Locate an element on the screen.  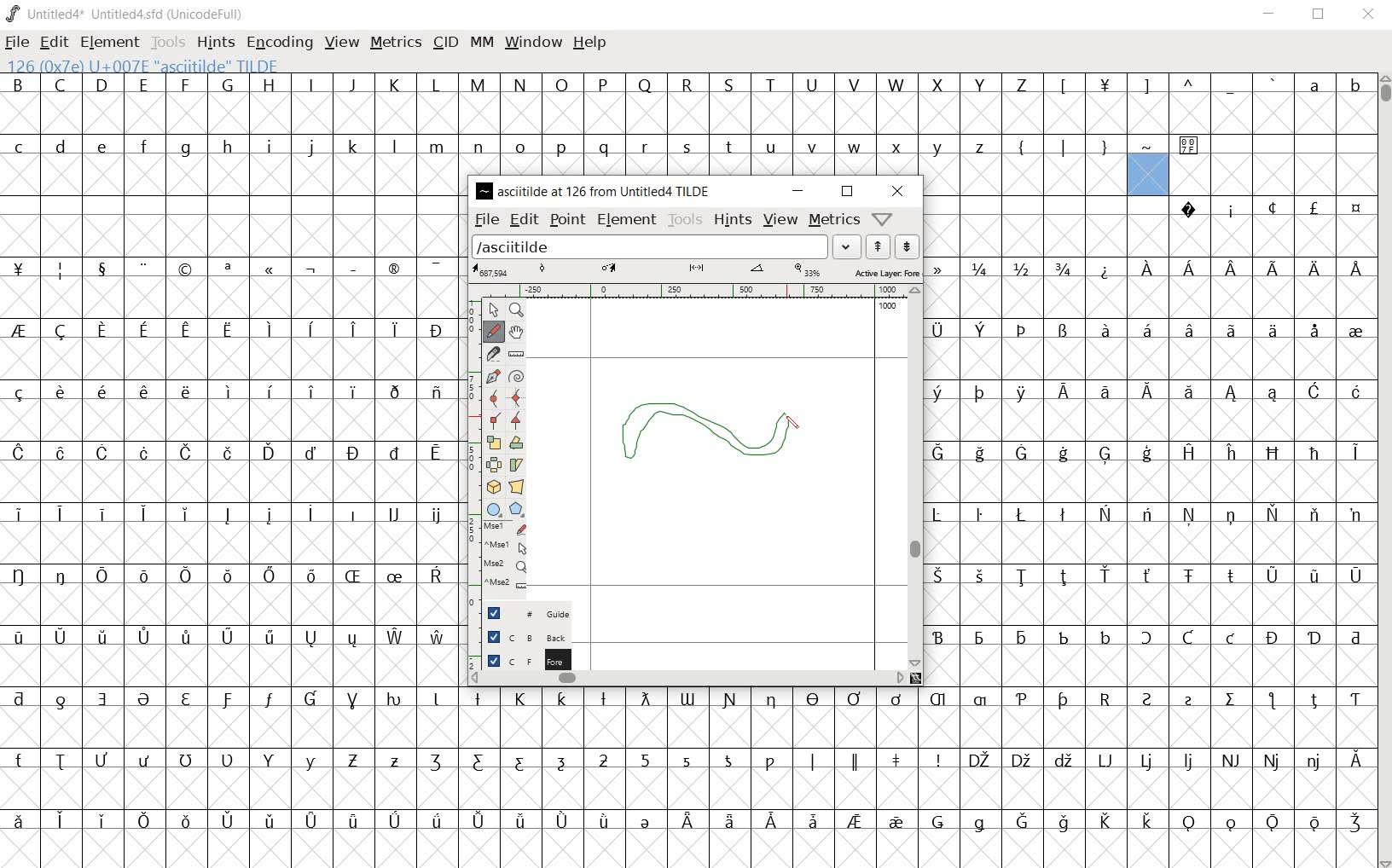
cut splines in two is located at coordinates (496, 354).